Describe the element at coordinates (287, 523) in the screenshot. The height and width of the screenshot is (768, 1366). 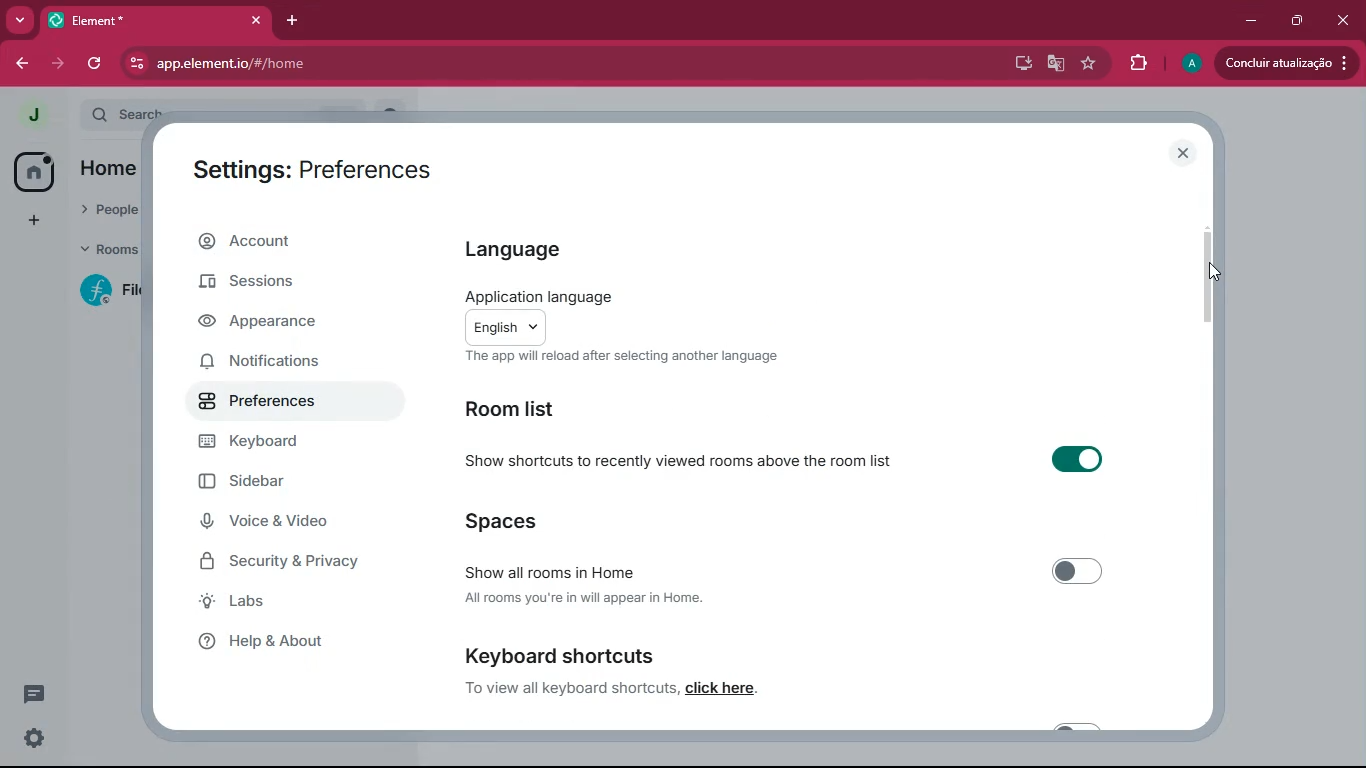
I see `voice & video` at that location.